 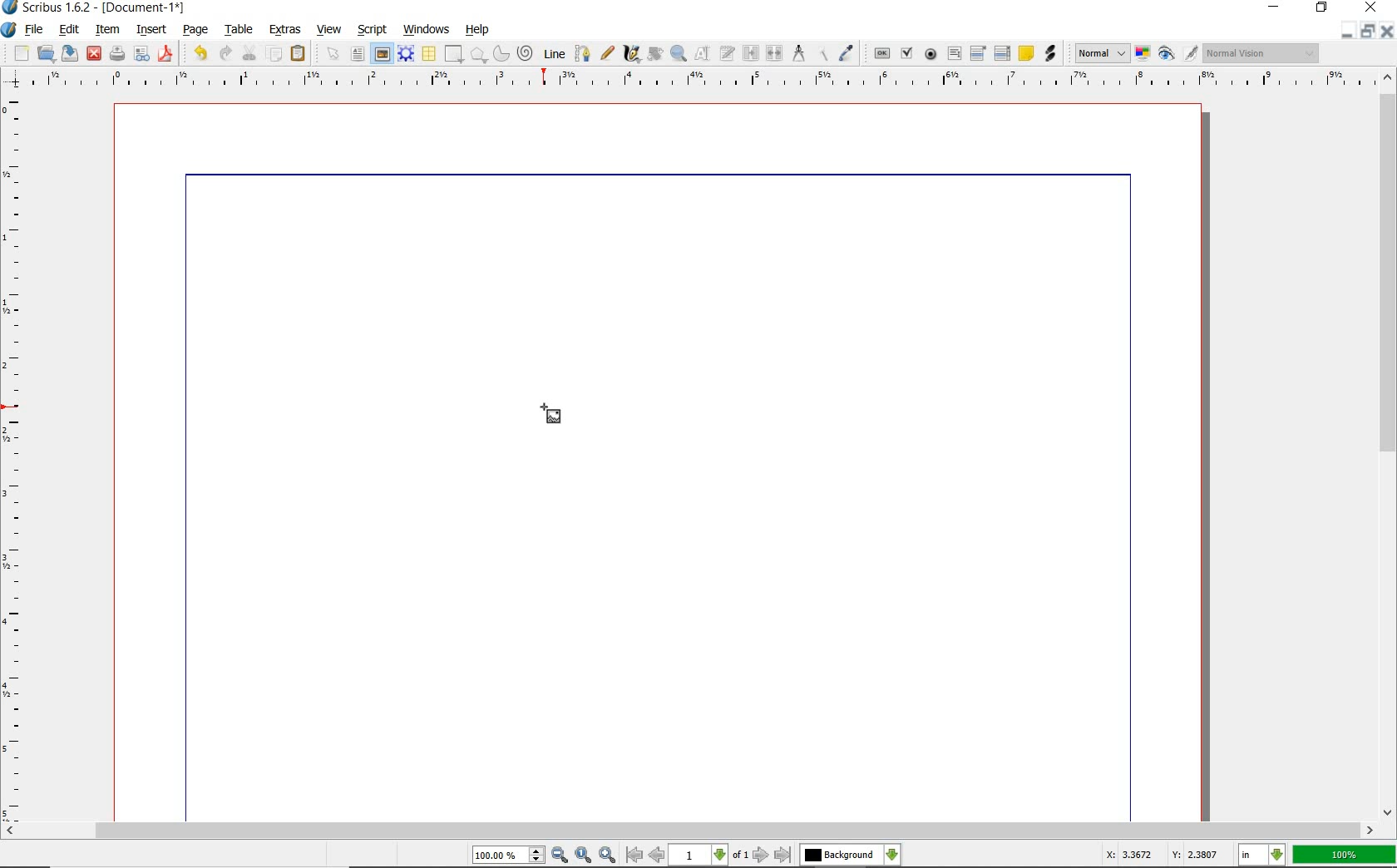 What do you see at coordinates (1142, 54) in the screenshot?
I see `toggle color management` at bounding box center [1142, 54].